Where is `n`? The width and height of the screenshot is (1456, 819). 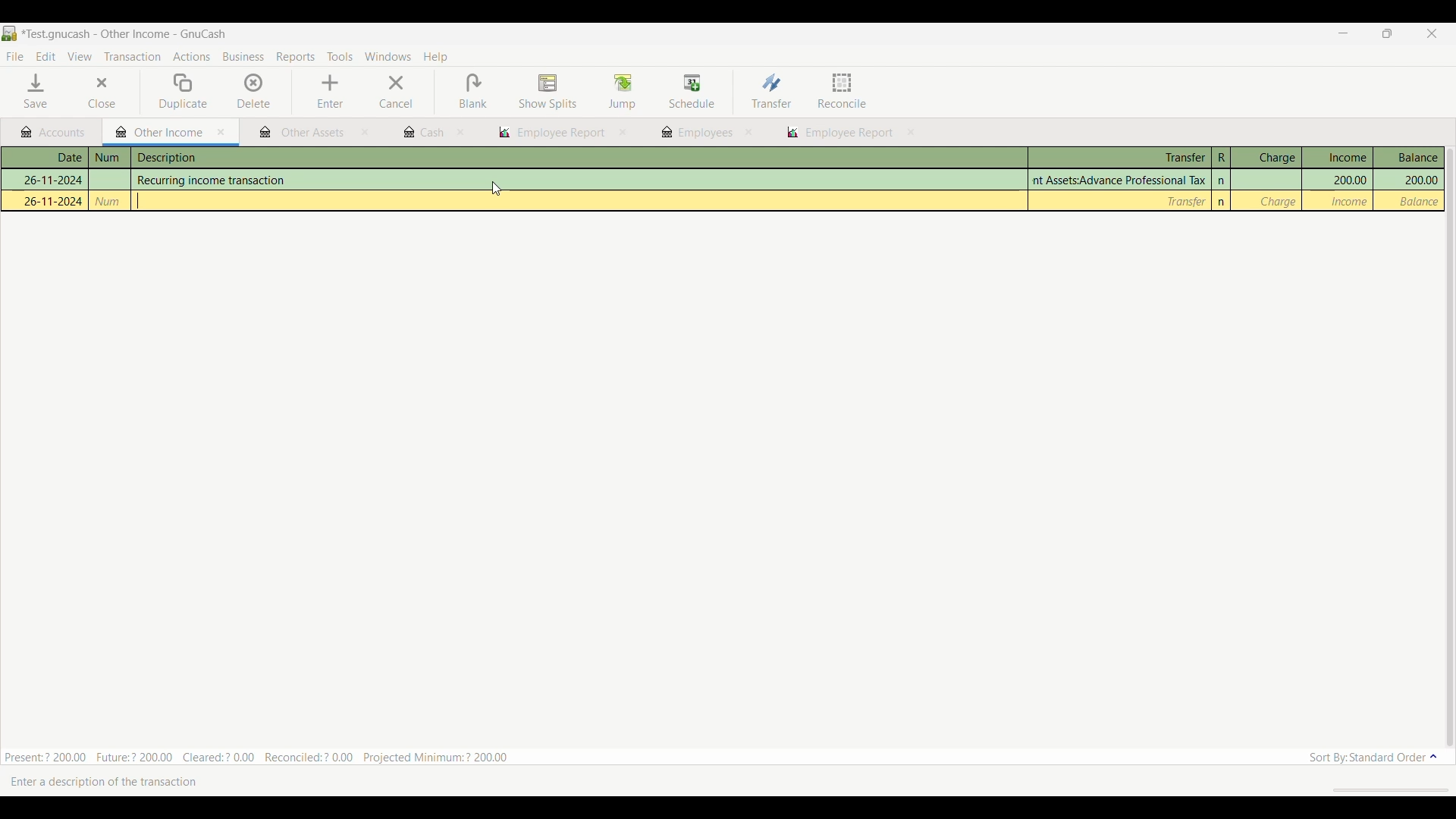 n is located at coordinates (1222, 180).